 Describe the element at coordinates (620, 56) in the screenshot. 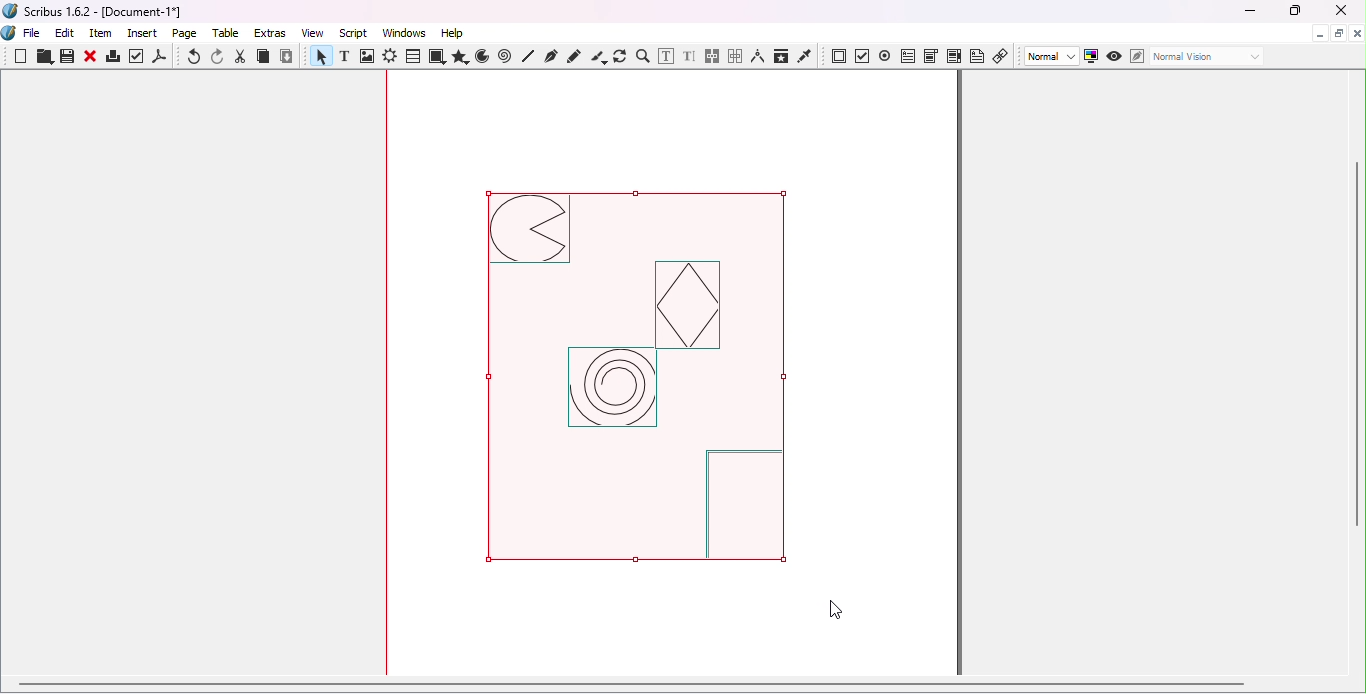

I see `Rotate item` at that location.